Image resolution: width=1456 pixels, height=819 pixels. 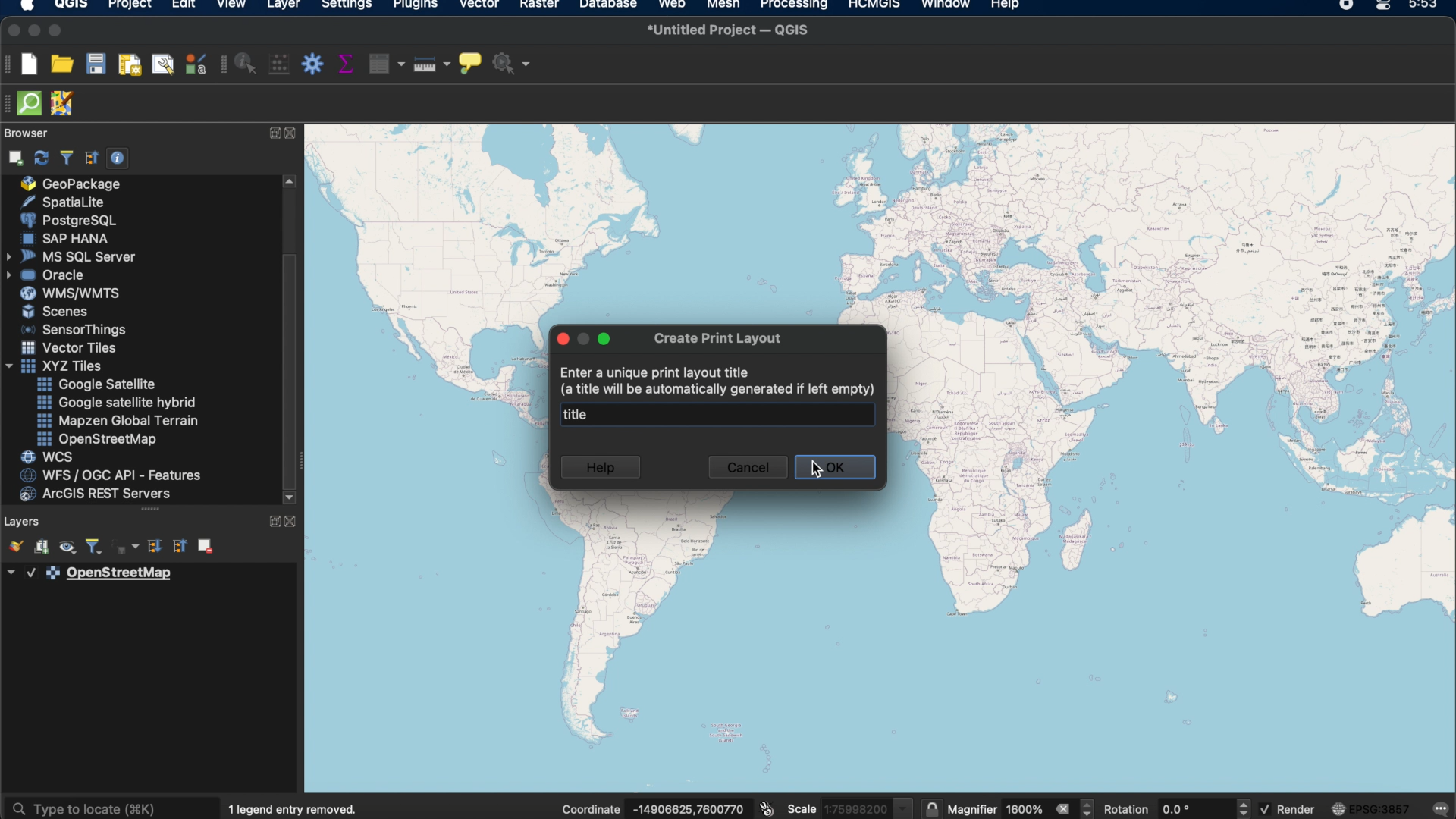 I want to click on vector tiles, so click(x=67, y=348).